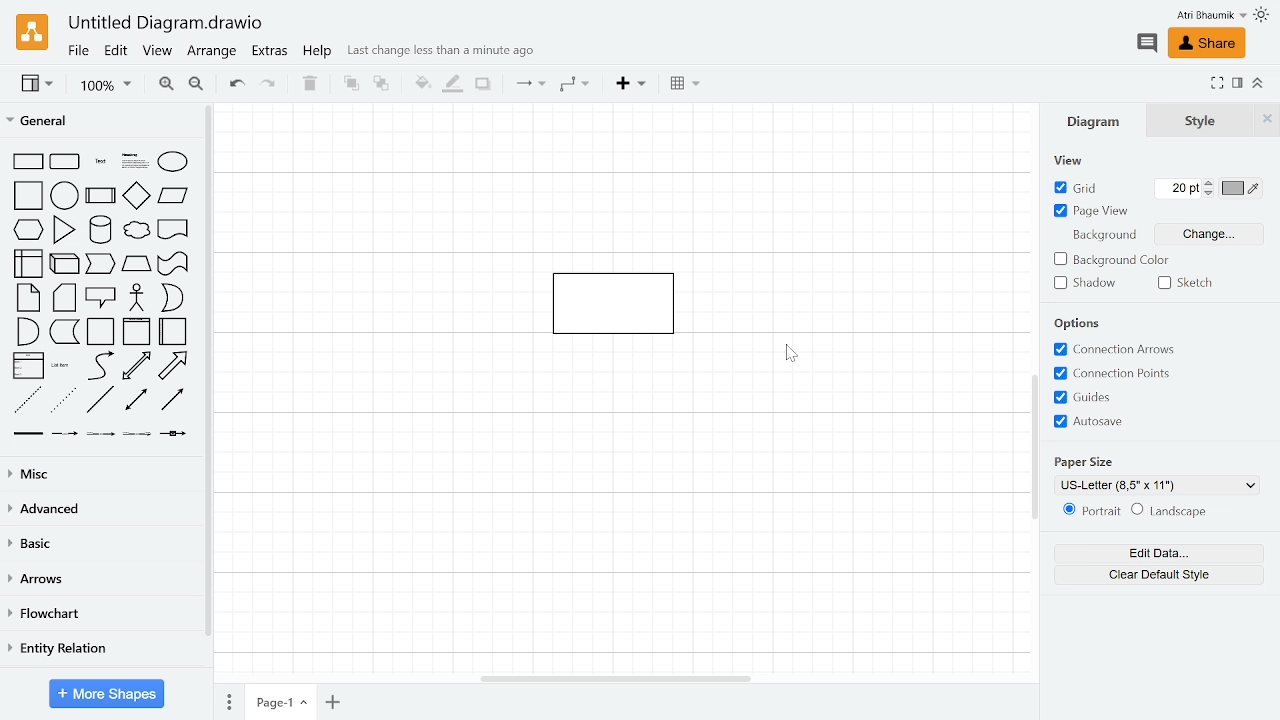 Image resolution: width=1280 pixels, height=720 pixels. Describe the element at coordinates (527, 84) in the screenshot. I see `Connection` at that location.